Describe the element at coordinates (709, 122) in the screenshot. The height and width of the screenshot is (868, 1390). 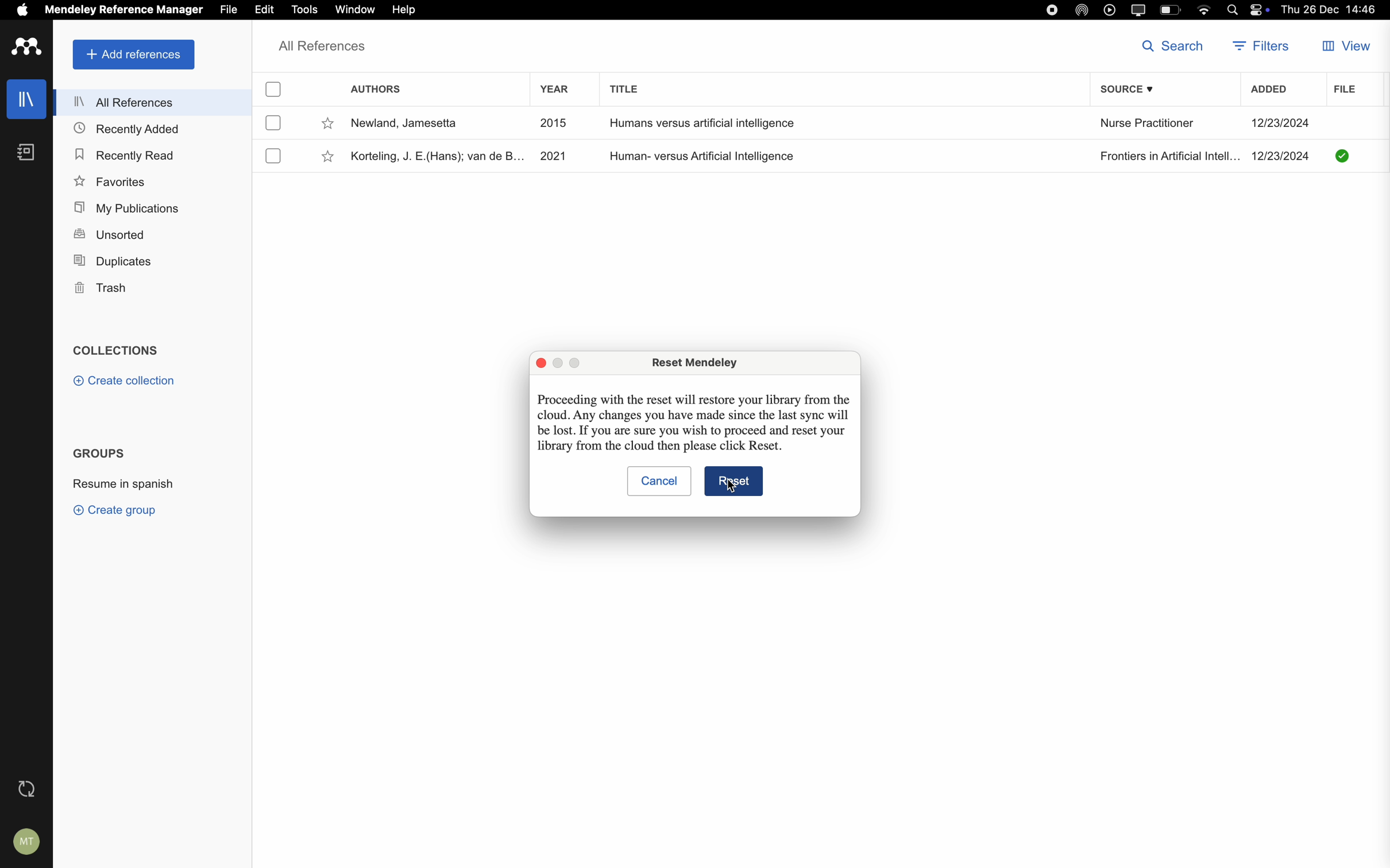
I see `Humans versus artificial intelligence` at that location.